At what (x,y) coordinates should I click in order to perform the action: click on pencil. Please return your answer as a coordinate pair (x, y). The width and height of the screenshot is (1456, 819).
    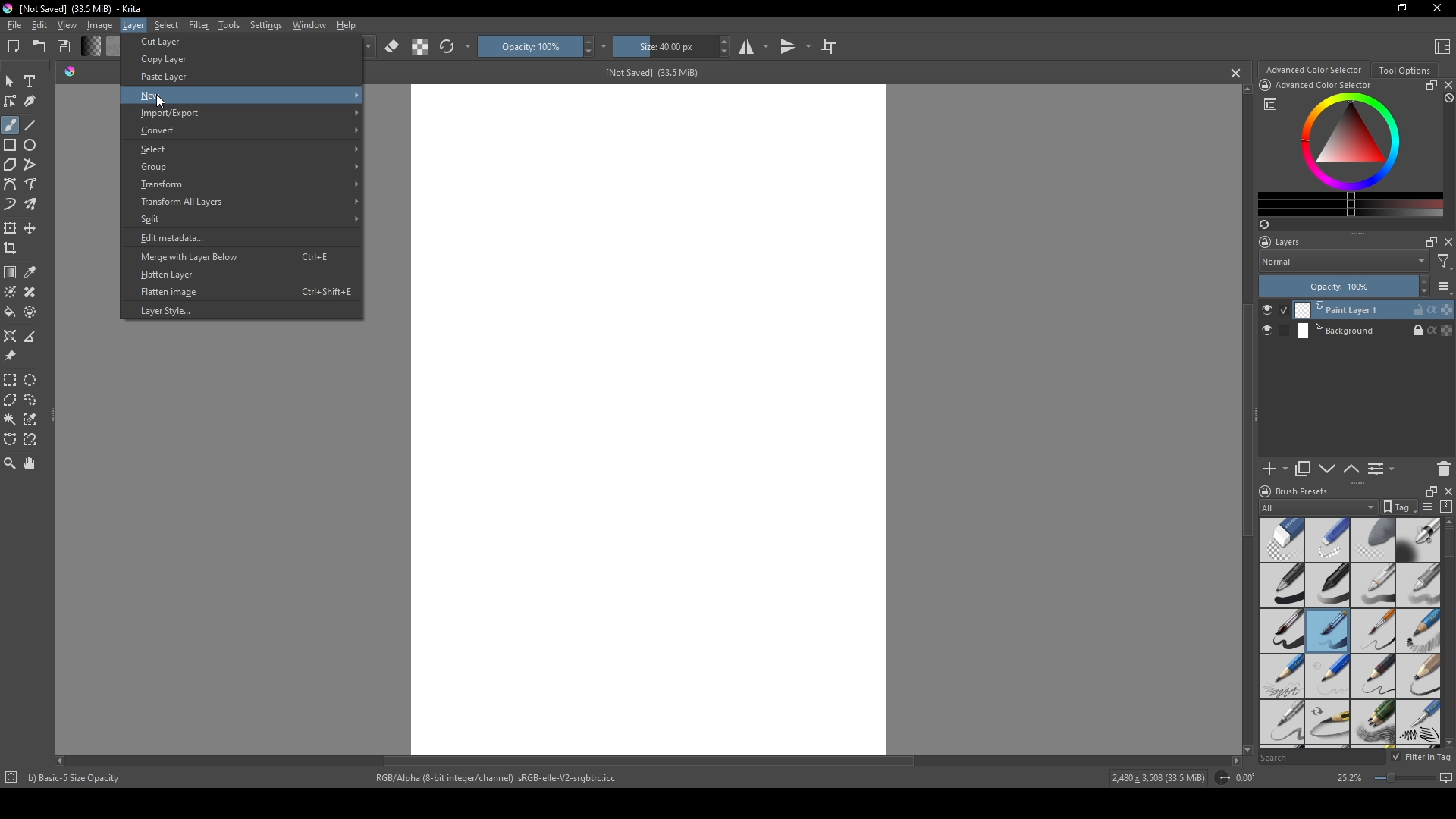
    Looking at the image, I should click on (1419, 632).